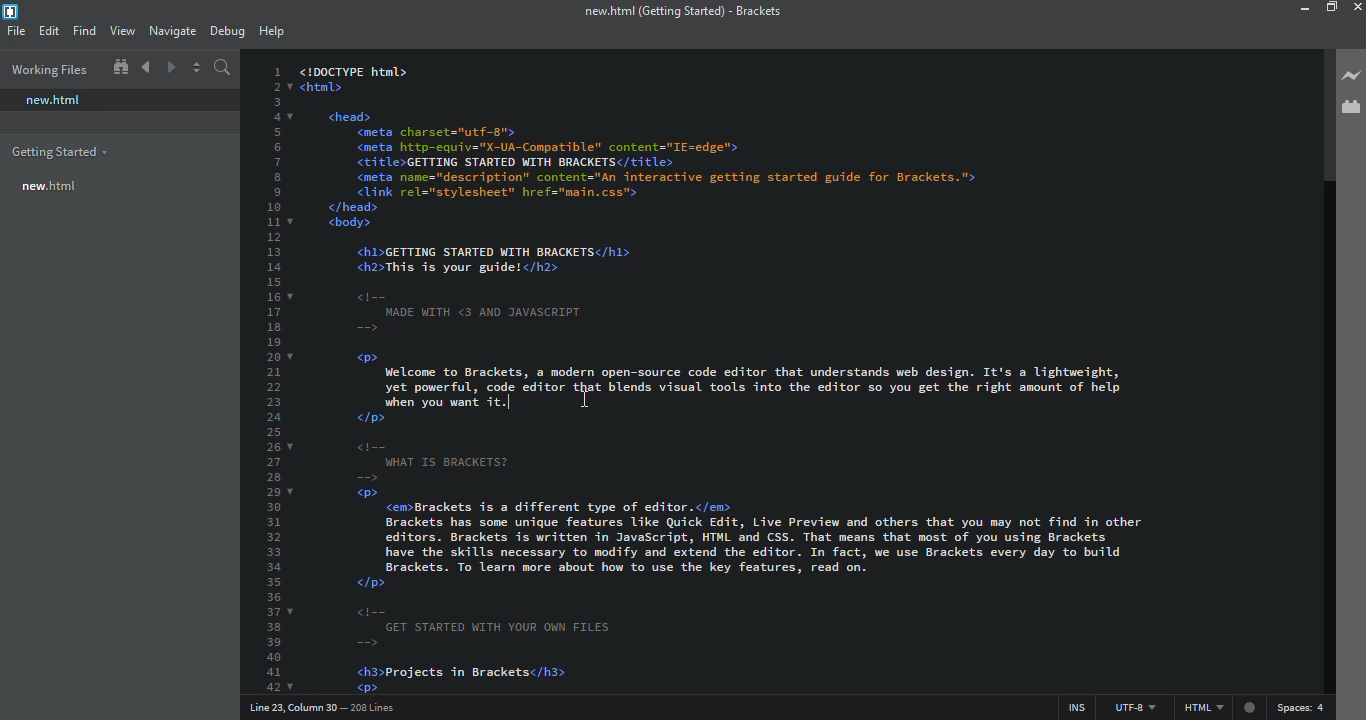 This screenshot has height=720, width=1366. Describe the element at coordinates (17, 32) in the screenshot. I see `file` at that location.